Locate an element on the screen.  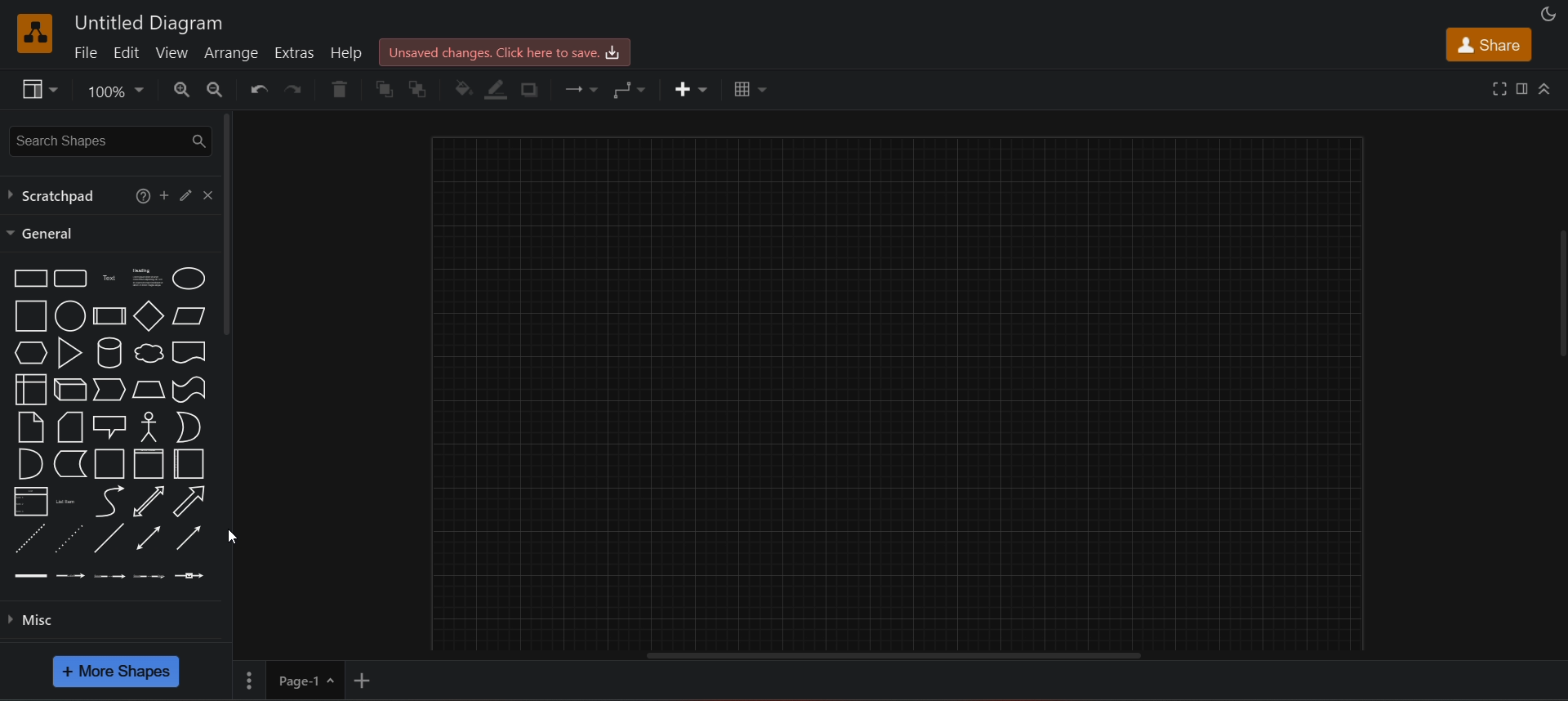
fullscreen is located at coordinates (1499, 89).